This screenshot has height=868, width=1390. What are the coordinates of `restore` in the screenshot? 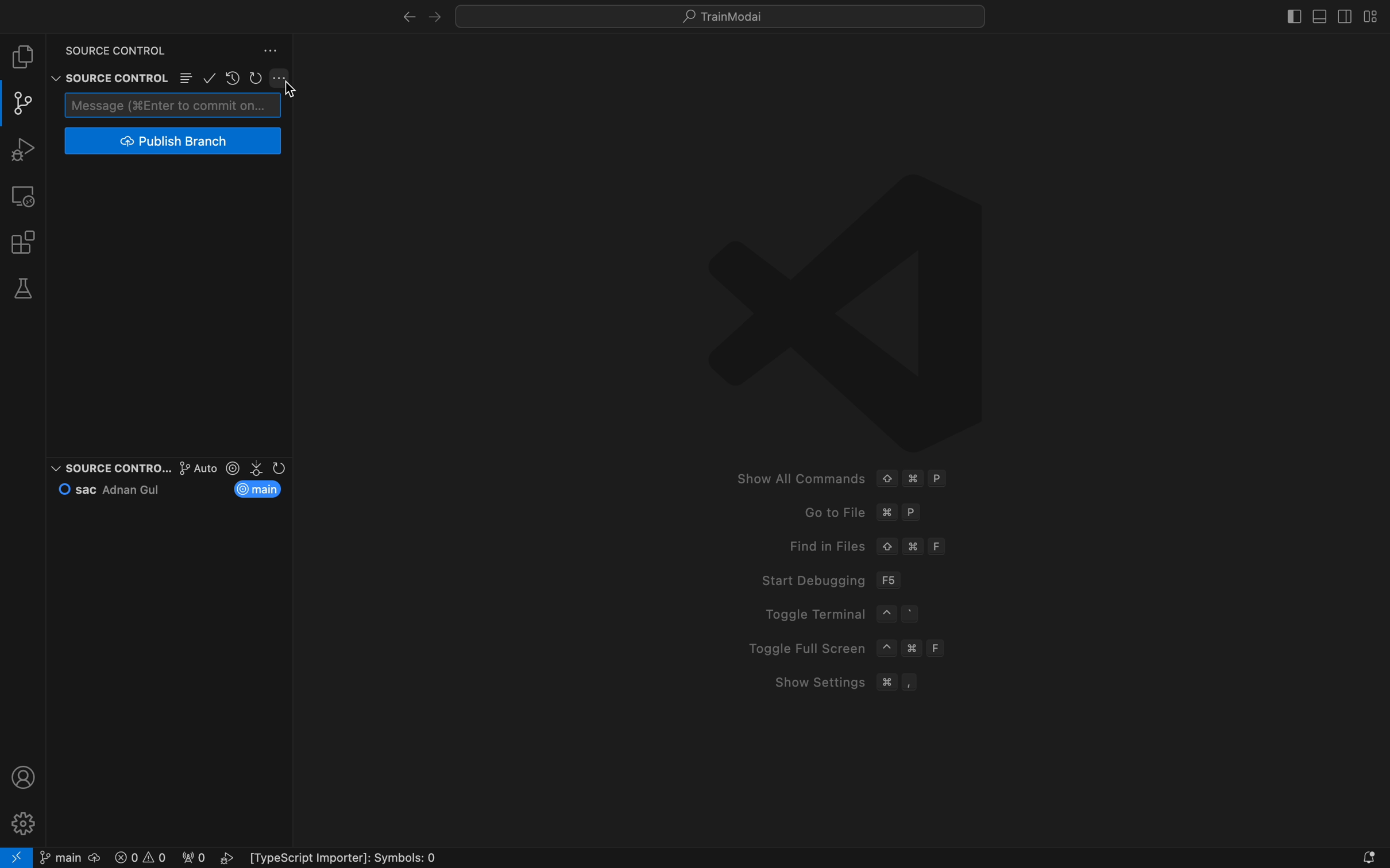 It's located at (232, 77).